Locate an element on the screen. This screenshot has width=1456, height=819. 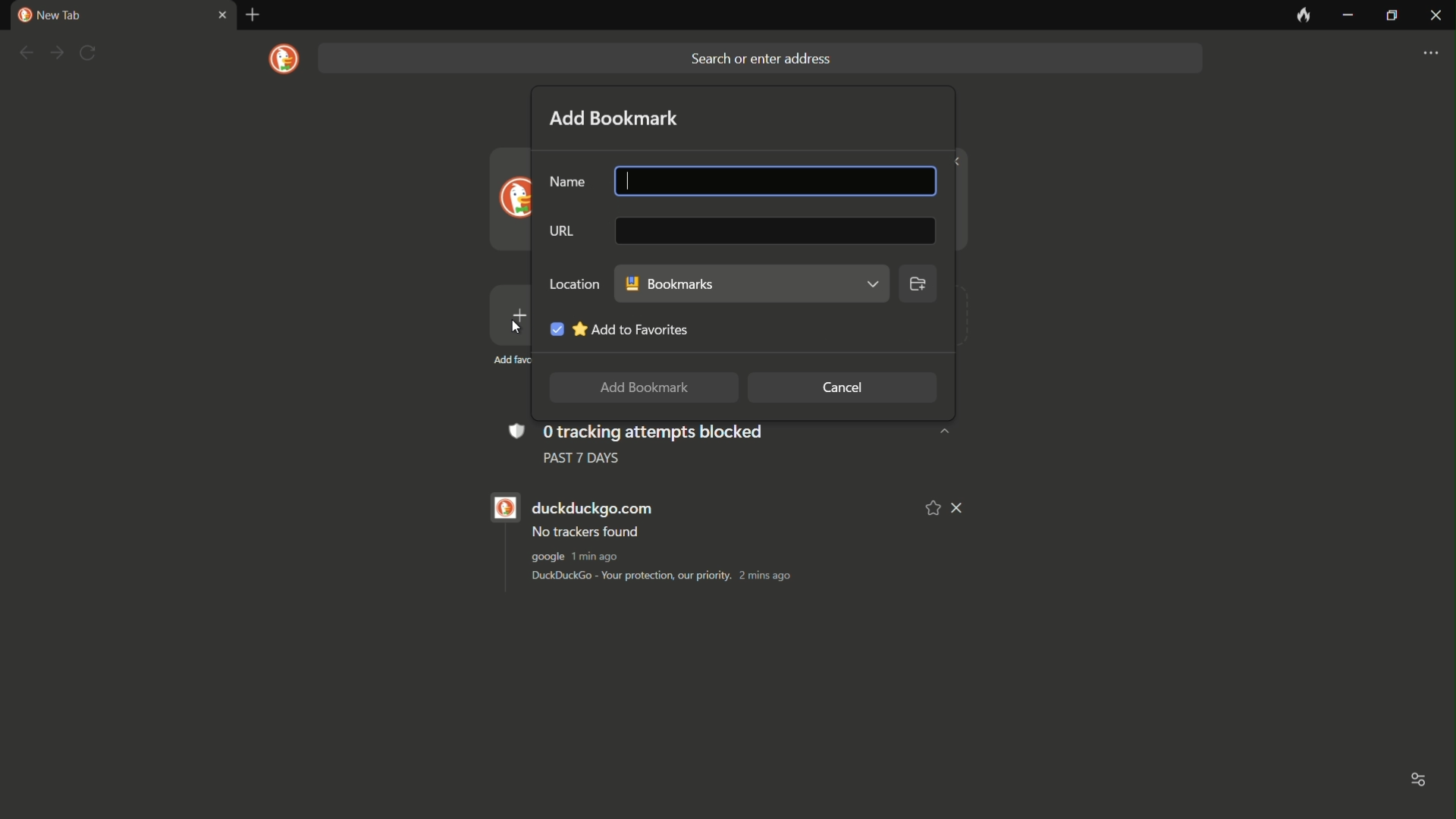
new tab is located at coordinates (49, 15).